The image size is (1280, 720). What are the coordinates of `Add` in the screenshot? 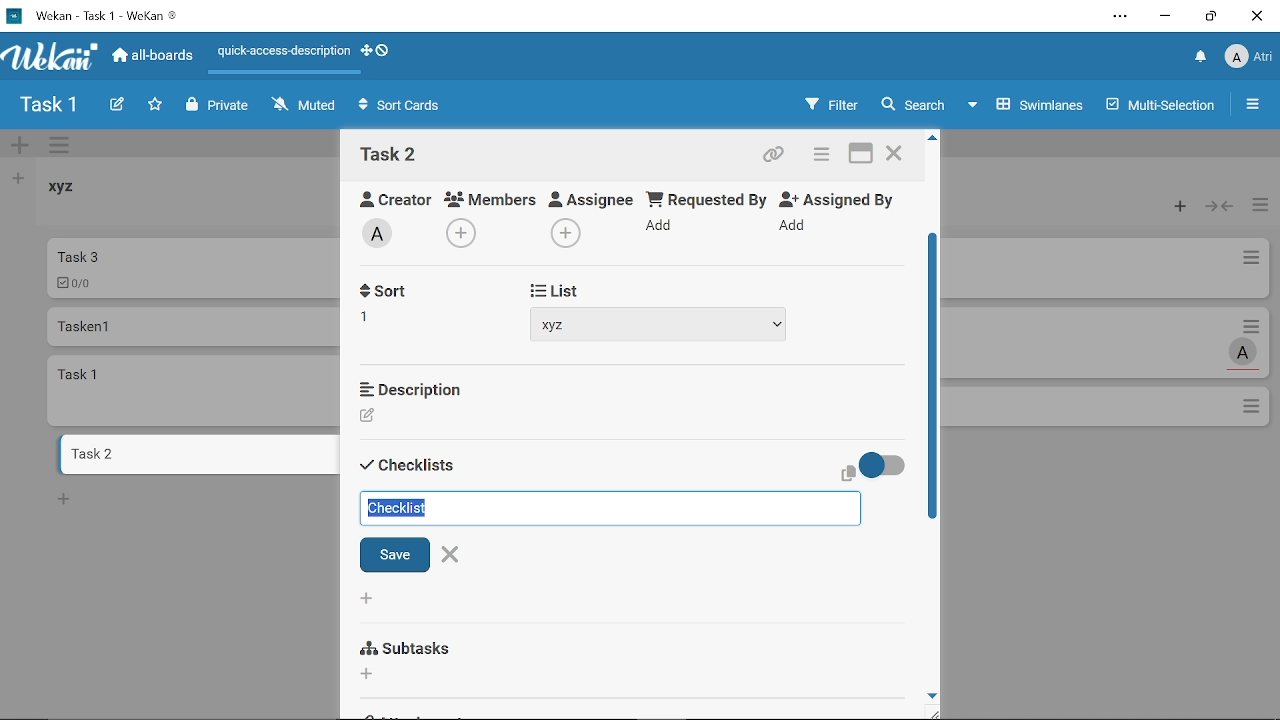 It's located at (563, 233).